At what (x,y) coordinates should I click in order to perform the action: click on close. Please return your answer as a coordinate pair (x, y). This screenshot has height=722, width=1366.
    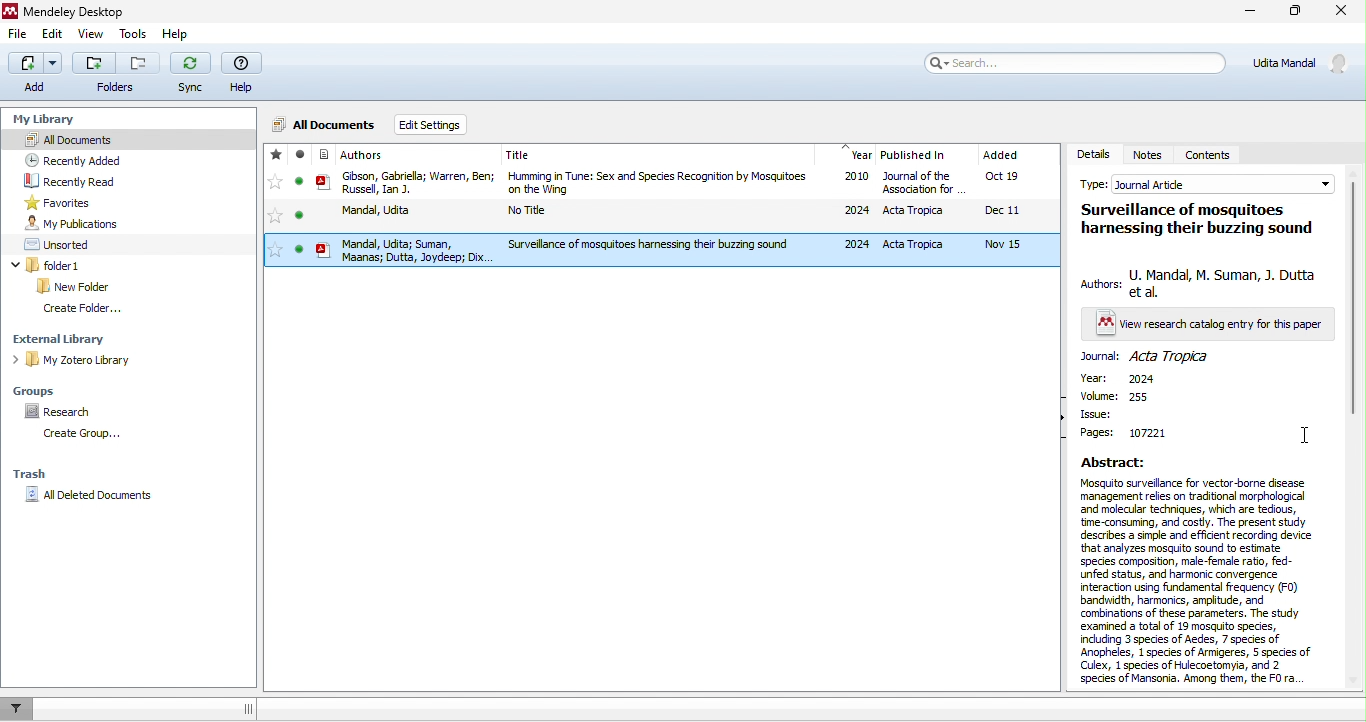
    Looking at the image, I should click on (1342, 12).